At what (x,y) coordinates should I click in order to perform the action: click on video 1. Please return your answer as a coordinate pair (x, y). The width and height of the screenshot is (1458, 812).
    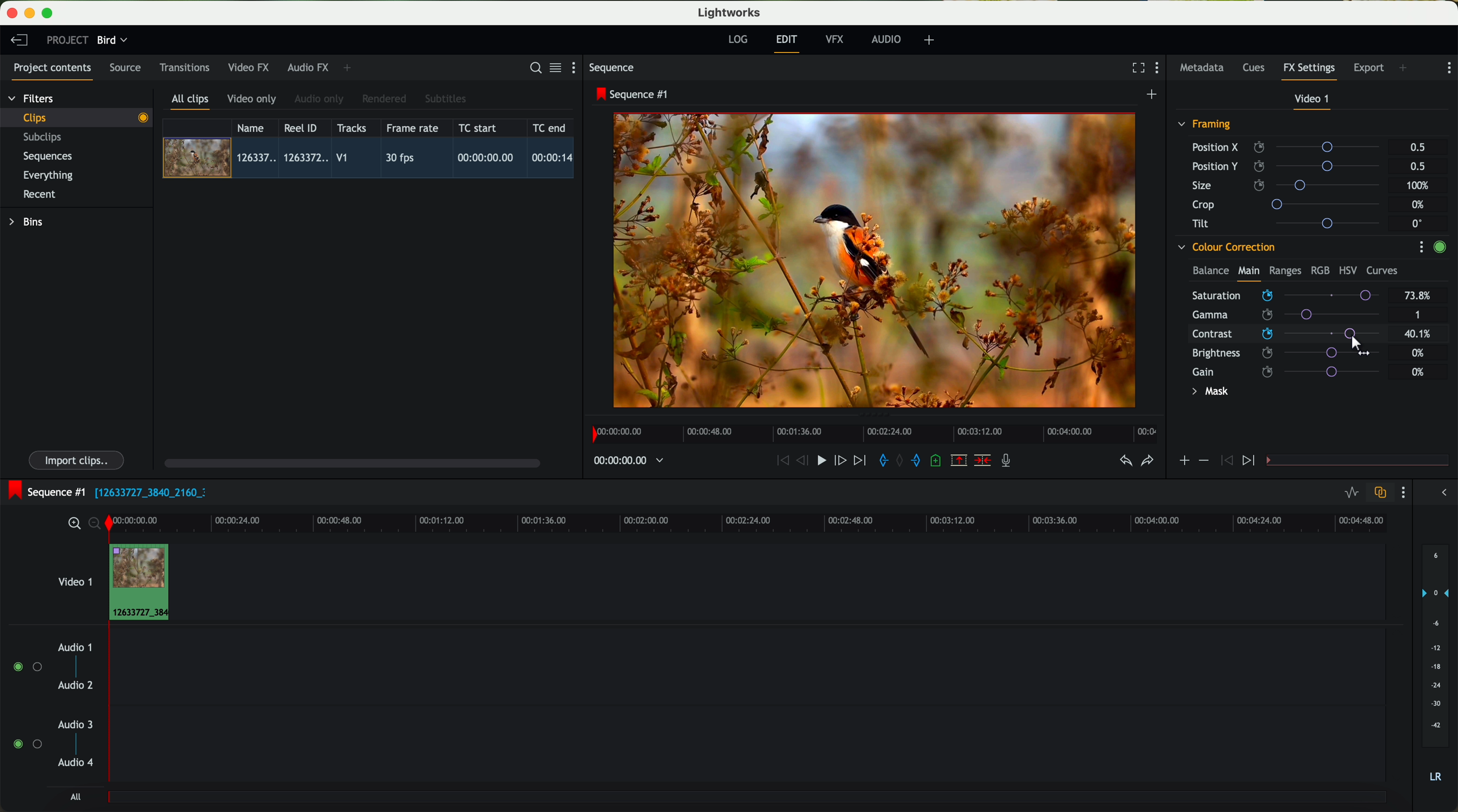
    Looking at the image, I should click on (74, 579).